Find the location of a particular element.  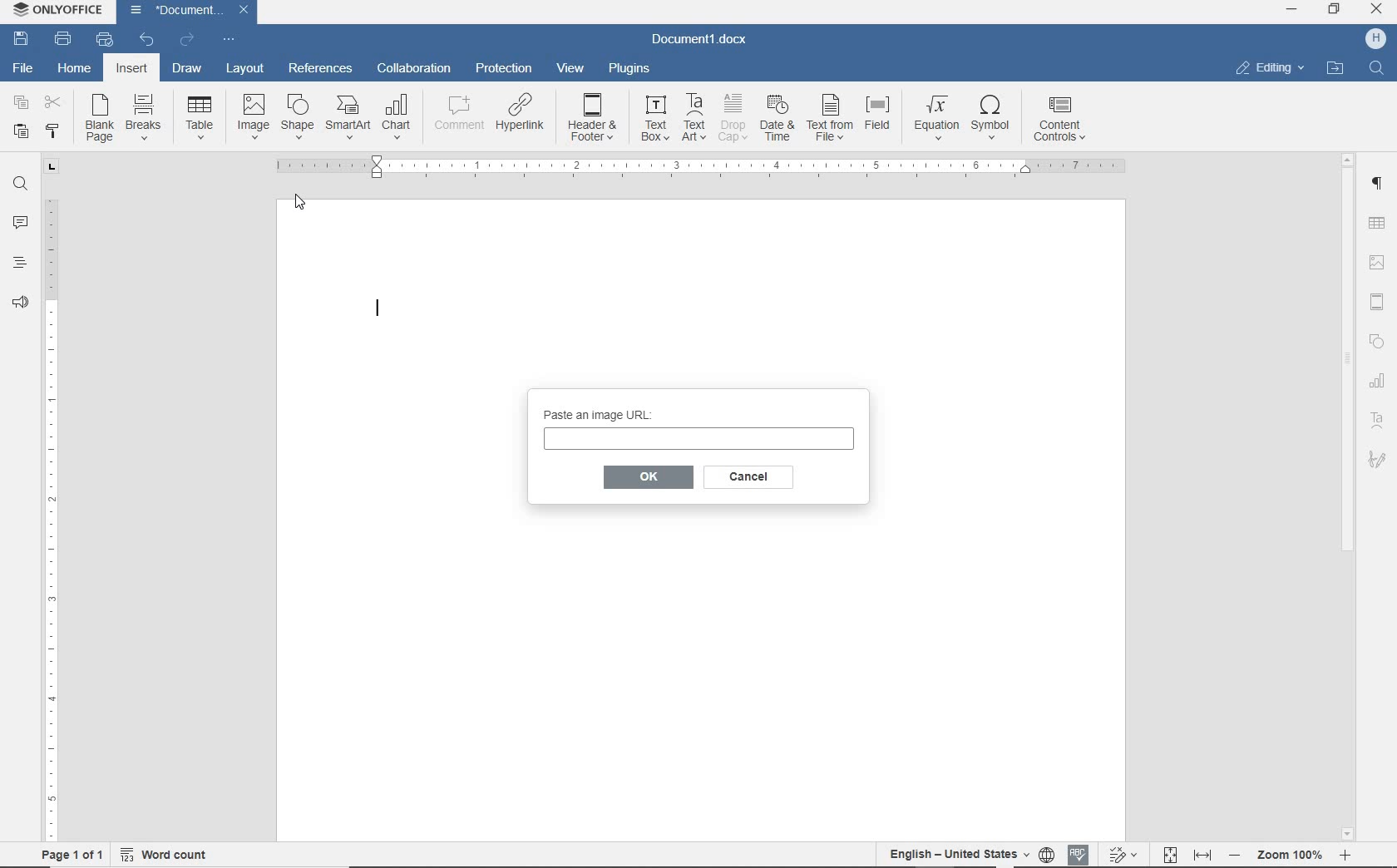

ruler is located at coordinates (55, 501).